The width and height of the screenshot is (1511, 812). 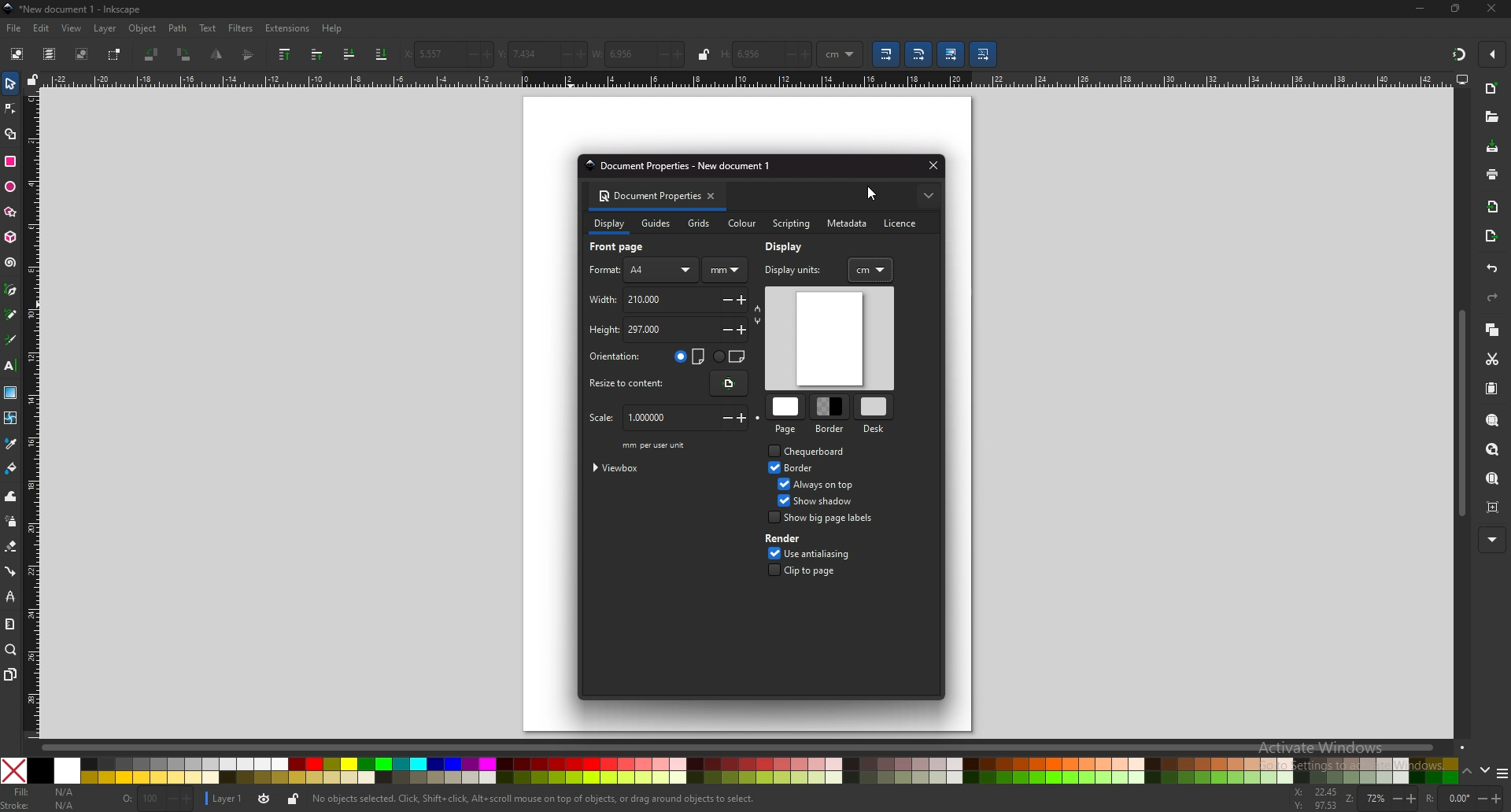 What do you see at coordinates (729, 384) in the screenshot?
I see `resize content` at bounding box center [729, 384].